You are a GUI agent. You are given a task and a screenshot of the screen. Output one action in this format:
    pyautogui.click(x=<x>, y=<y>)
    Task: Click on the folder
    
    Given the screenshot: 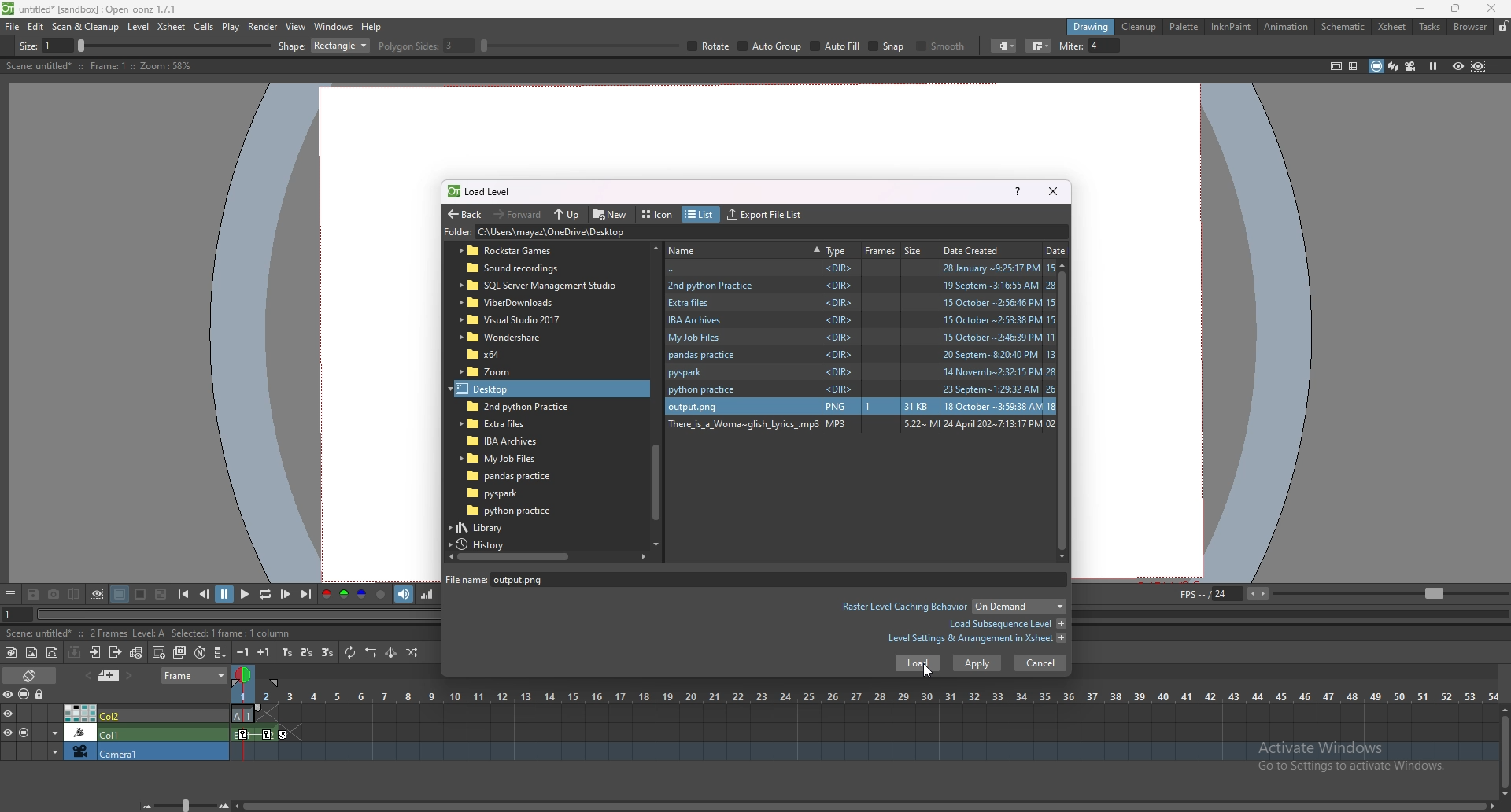 What is the action you would take?
    pyautogui.click(x=508, y=493)
    